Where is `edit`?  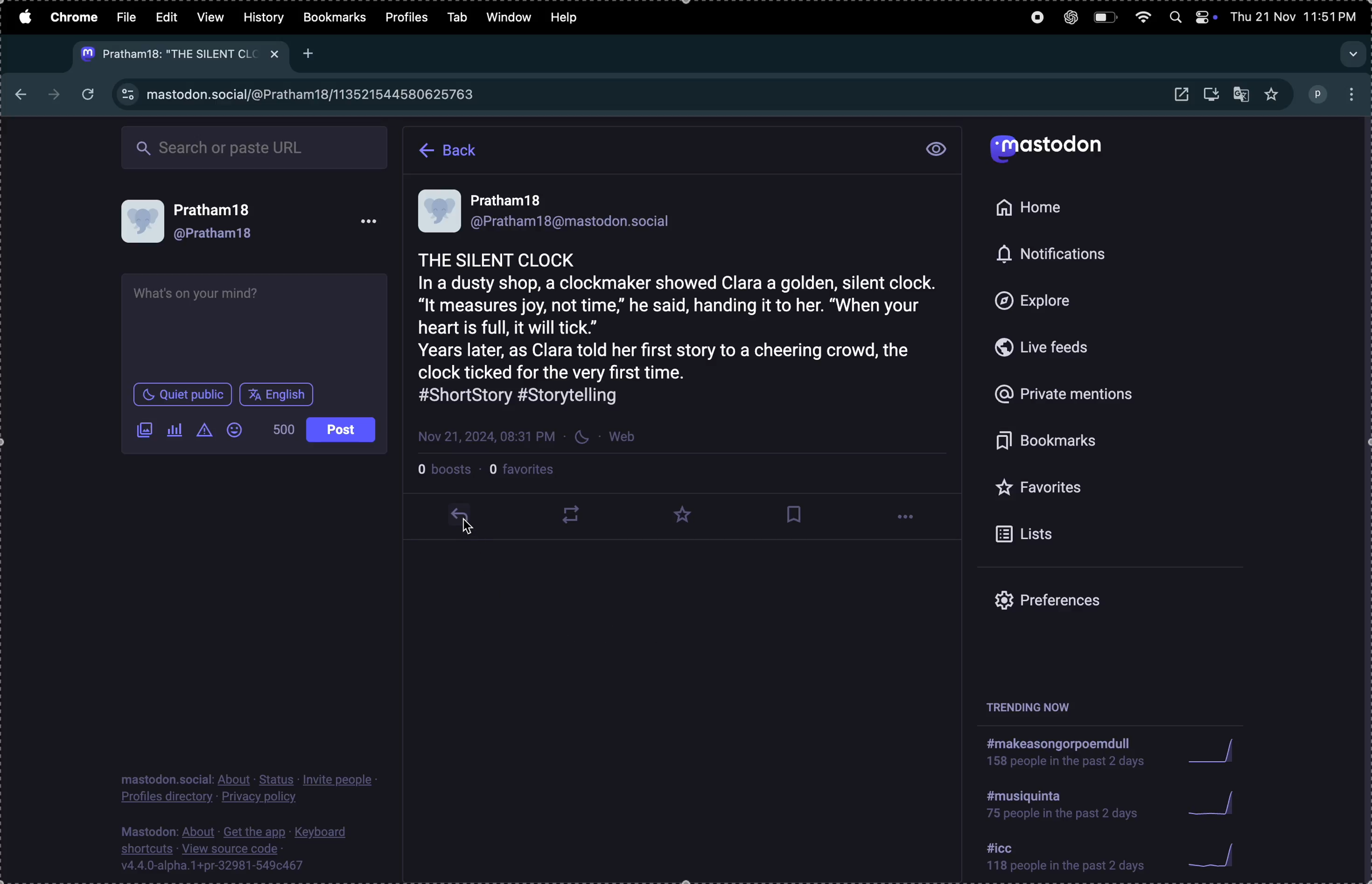
edit is located at coordinates (165, 17).